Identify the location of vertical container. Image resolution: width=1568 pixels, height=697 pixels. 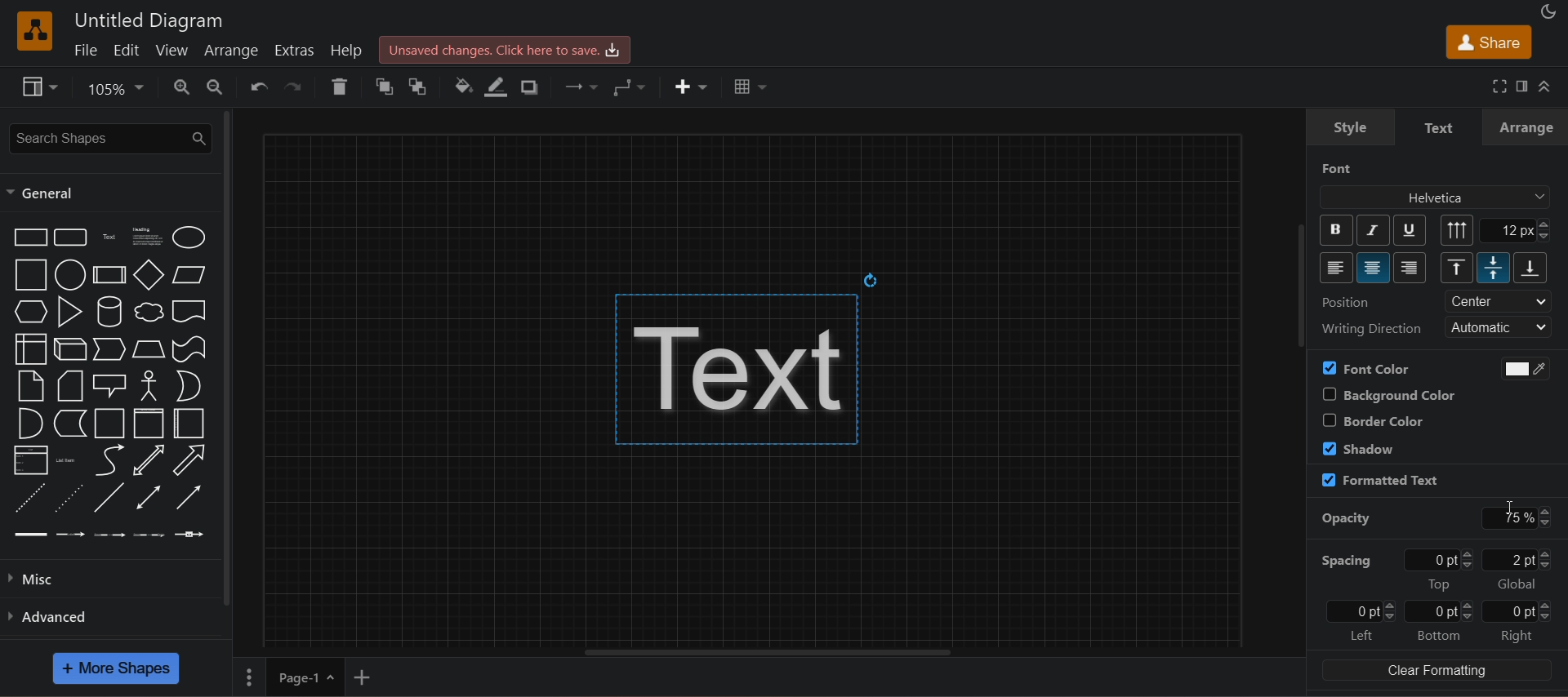
(149, 423).